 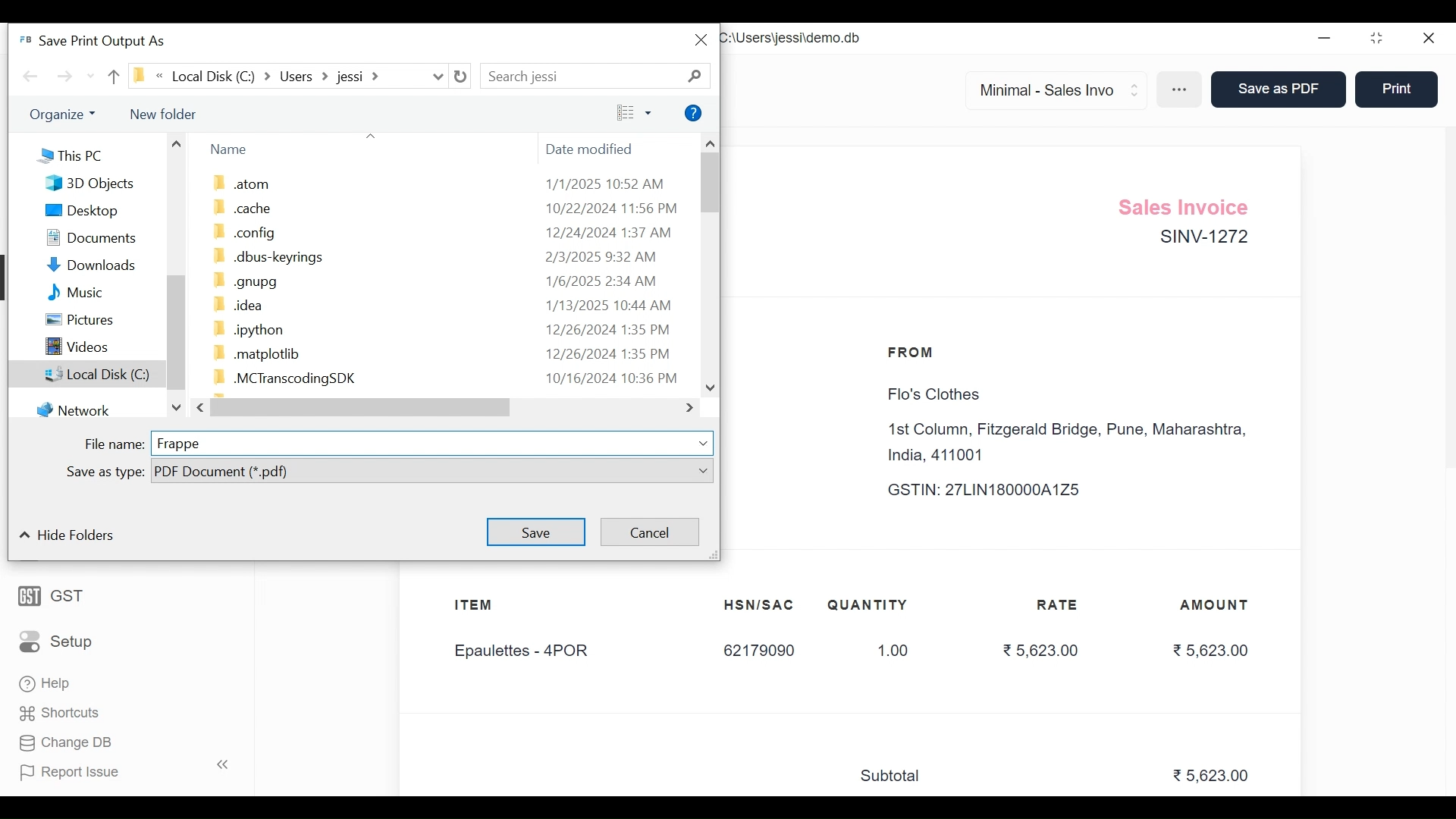 What do you see at coordinates (608, 329) in the screenshot?
I see `12/26/2024 1:35 PM` at bounding box center [608, 329].